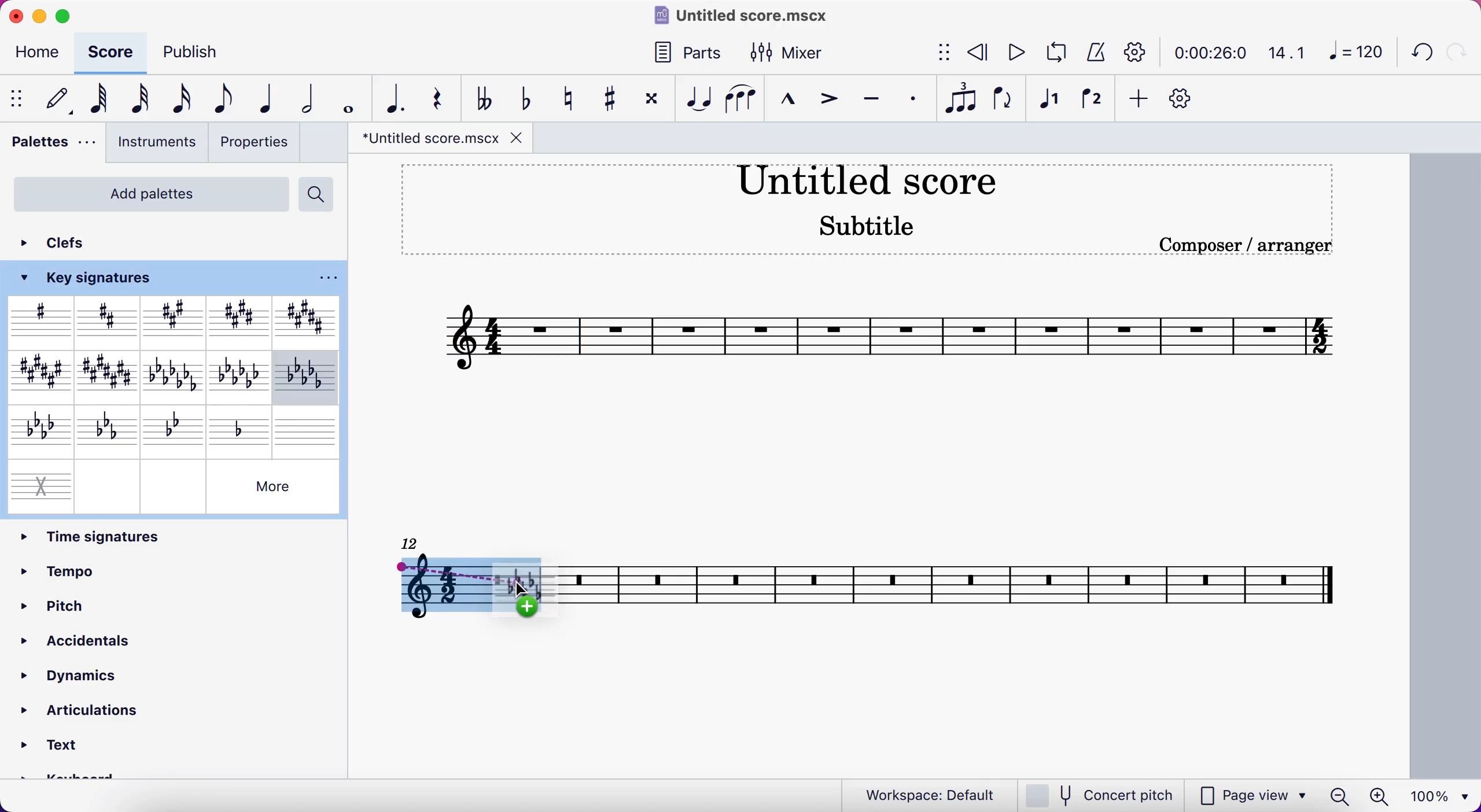 This screenshot has width=1481, height=812. Describe the element at coordinates (241, 376) in the screenshot. I see `E minor` at that location.